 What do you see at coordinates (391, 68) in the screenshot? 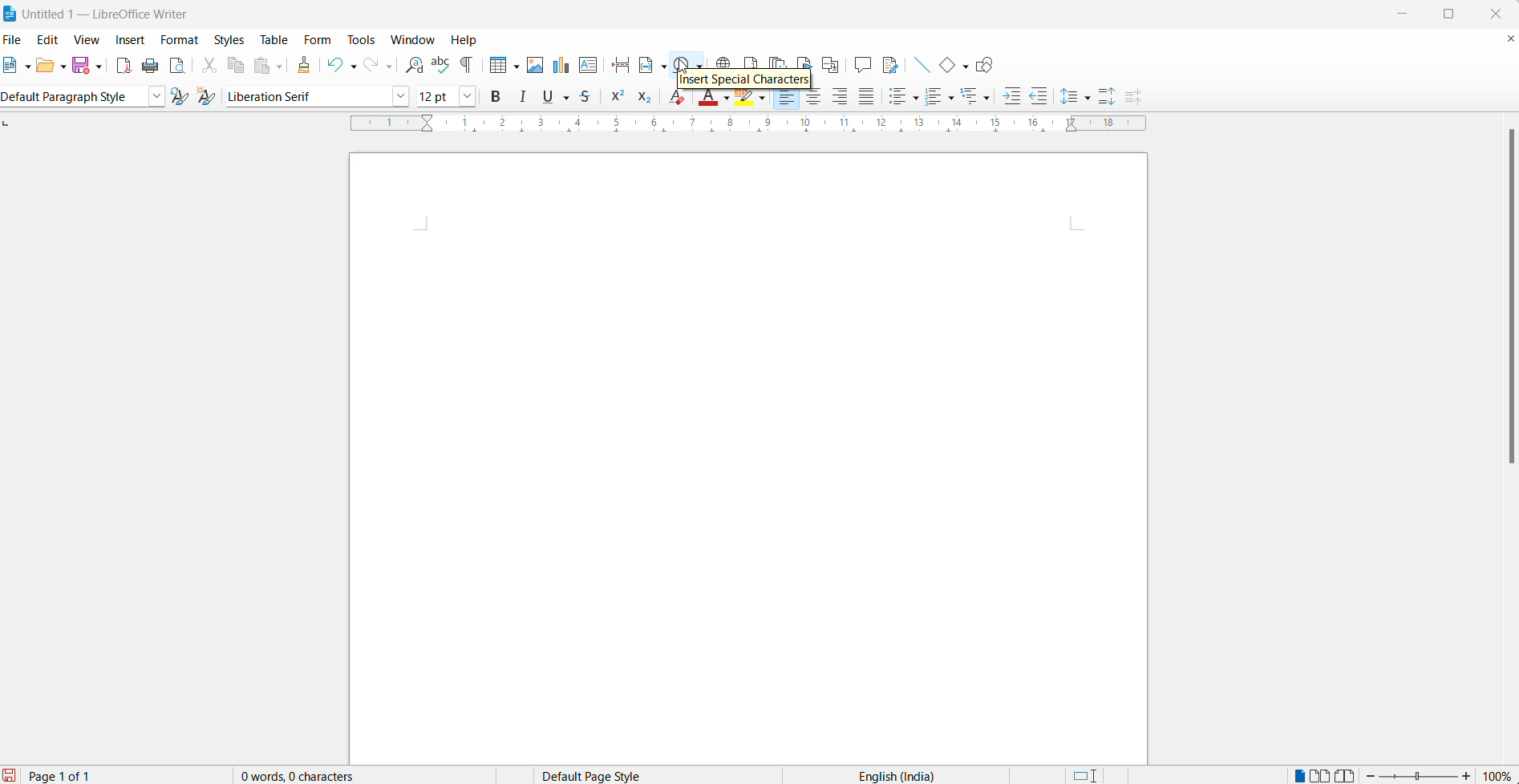
I see `redo options` at bounding box center [391, 68].